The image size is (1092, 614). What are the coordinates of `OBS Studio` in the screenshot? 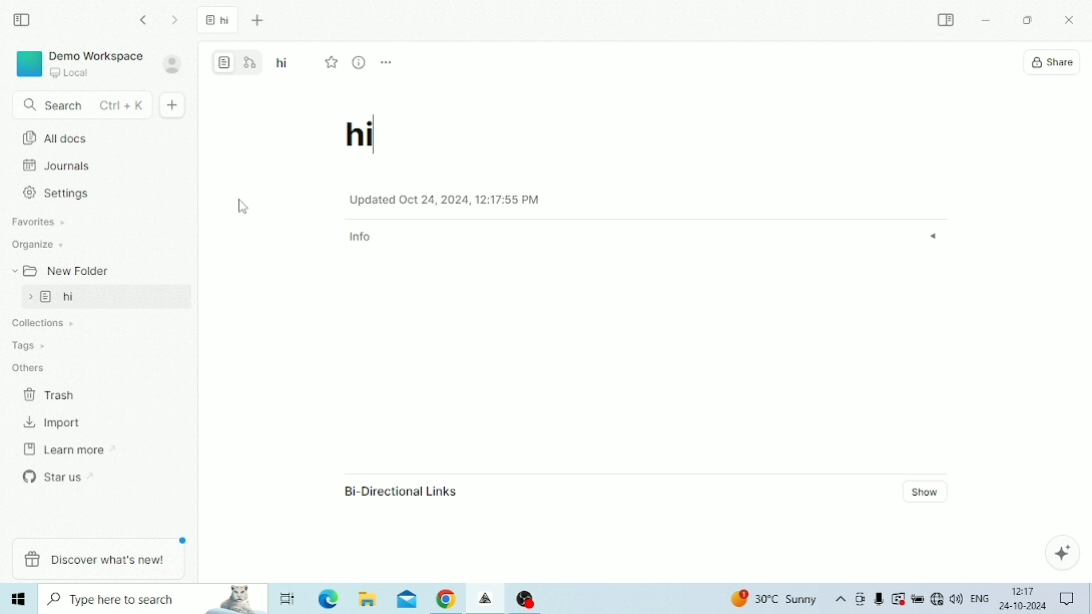 It's located at (526, 598).